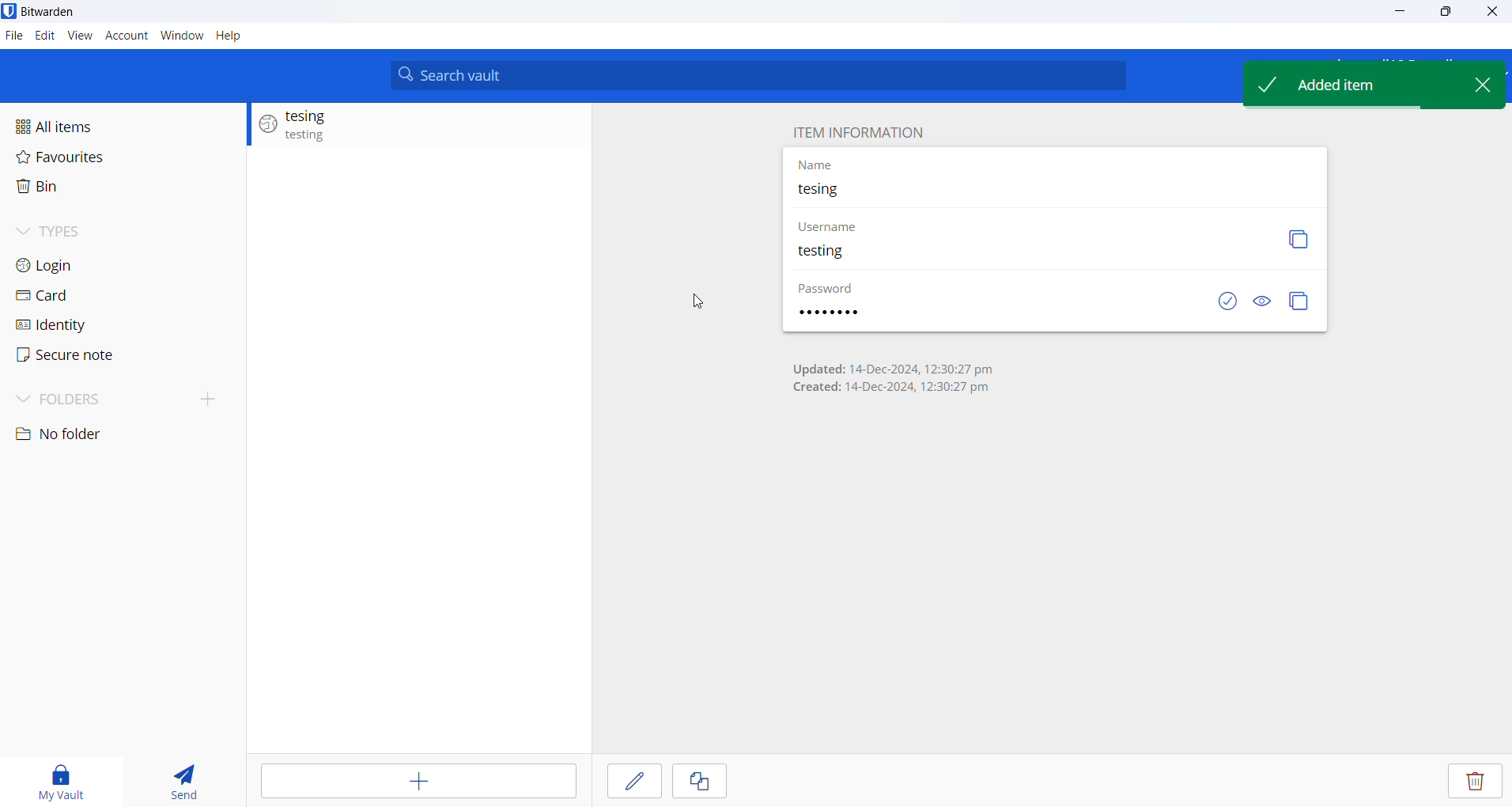  What do you see at coordinates (181, 37) in the screenshot?
I see `window` at bounding box center [181, 37].